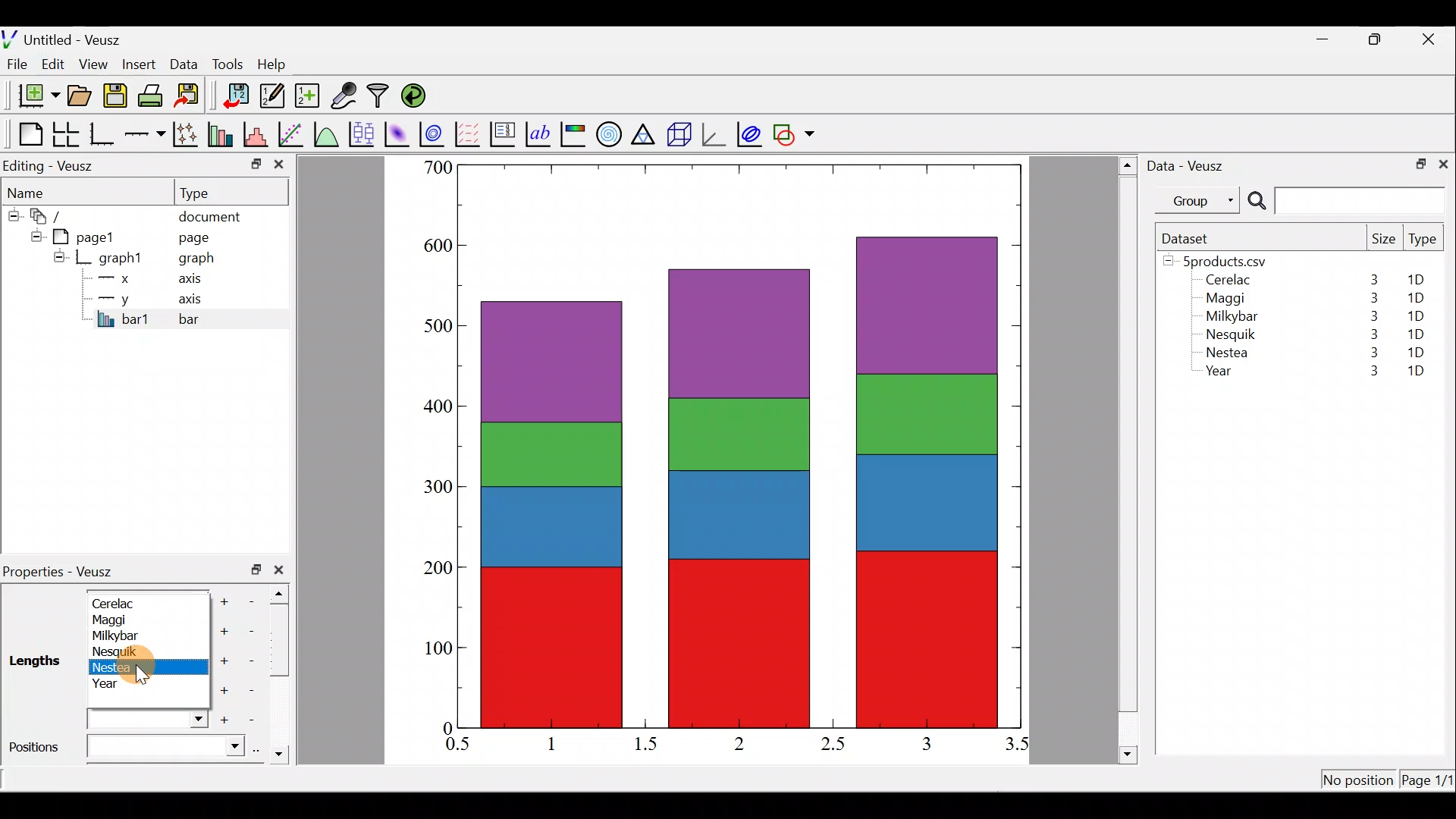 The height and width of the screenshot is (819, 1456). Describe the element at coordinates (678, 134) in the screenshot. I see `3d scene` at that location.